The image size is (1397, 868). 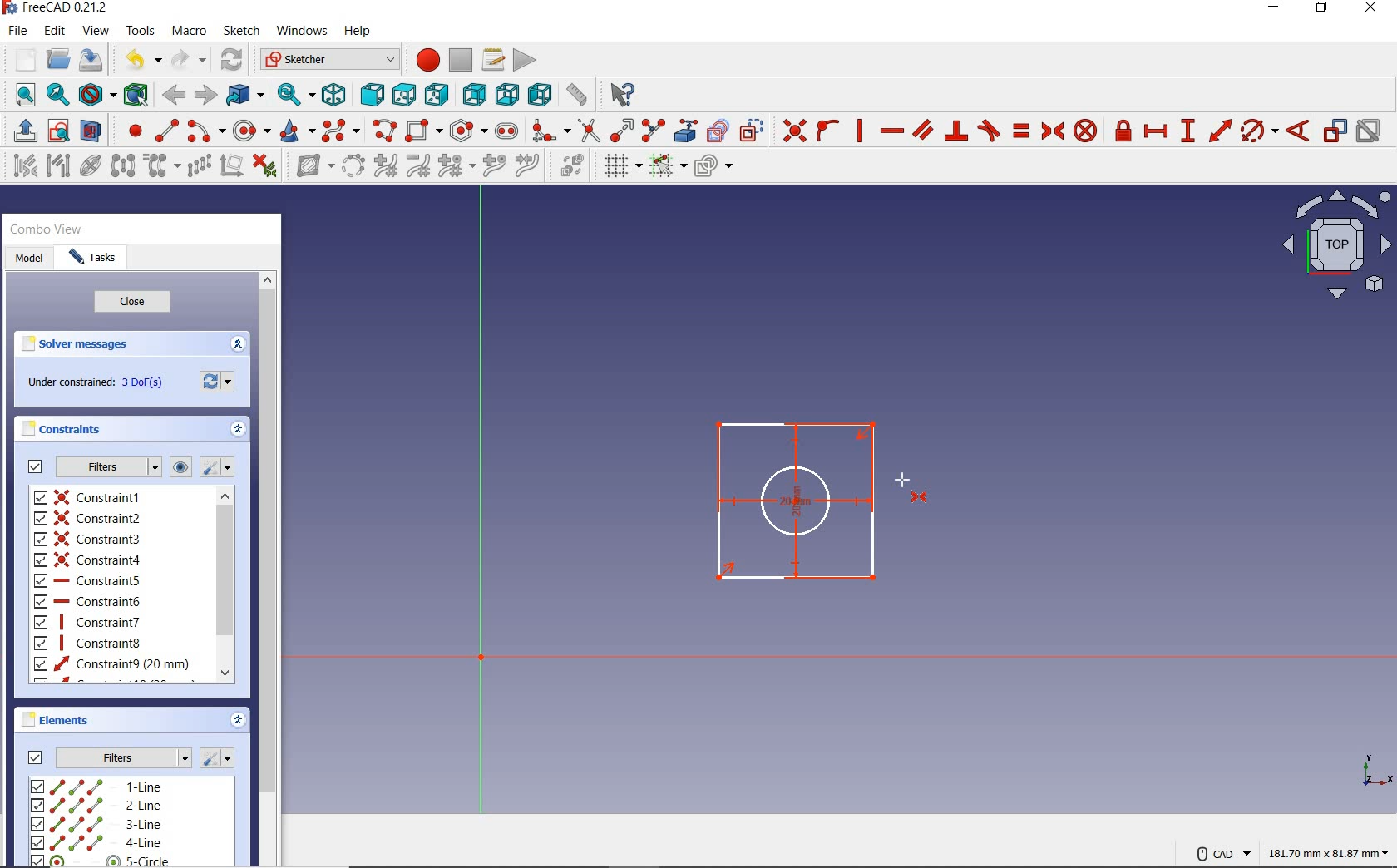 I want to click on constrain equal, so click(x=1021, y=133).